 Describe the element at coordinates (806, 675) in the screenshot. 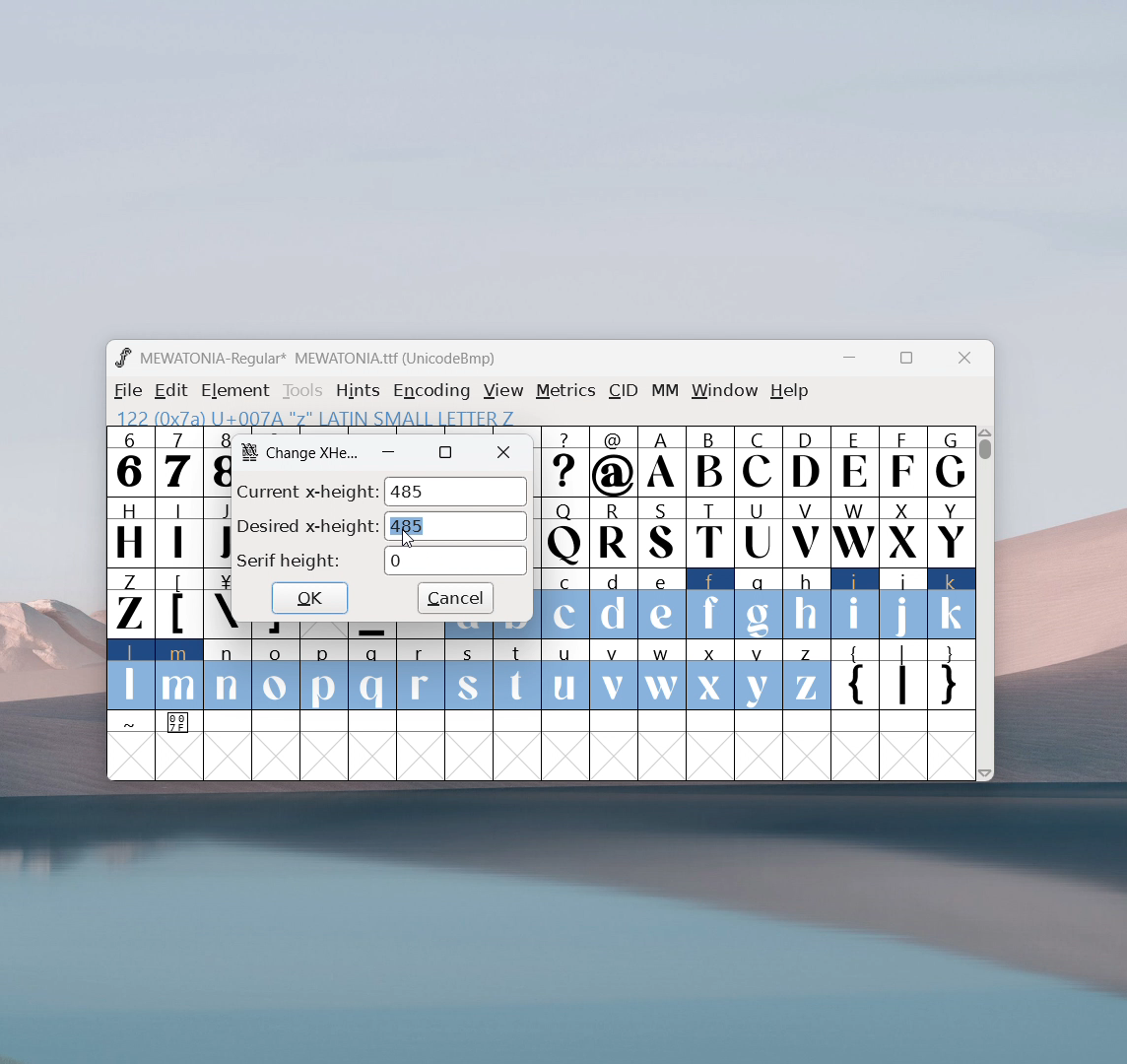

I see `z` at that location.